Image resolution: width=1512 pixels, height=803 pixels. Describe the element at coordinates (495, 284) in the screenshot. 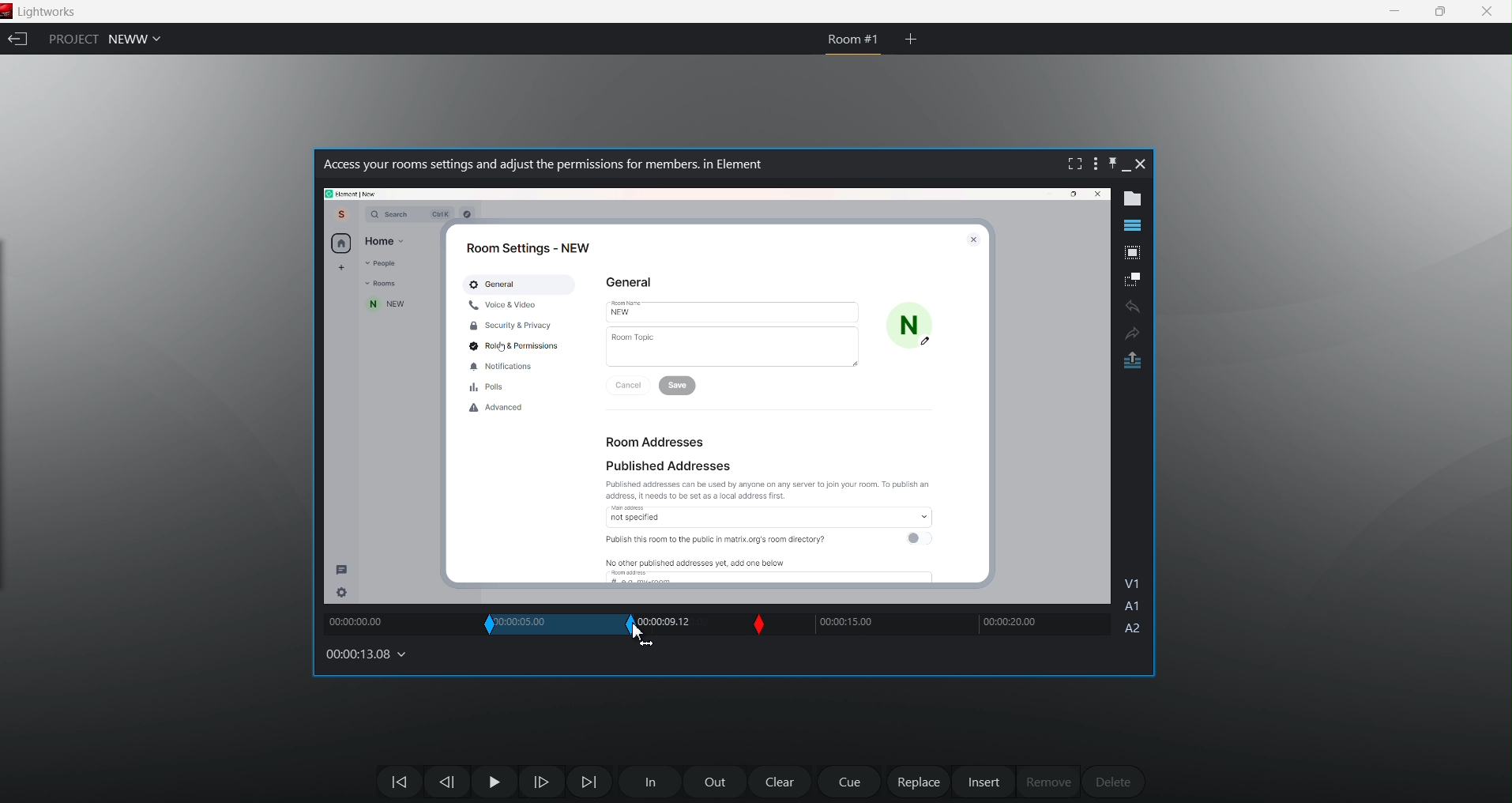

I see `General` at that location.